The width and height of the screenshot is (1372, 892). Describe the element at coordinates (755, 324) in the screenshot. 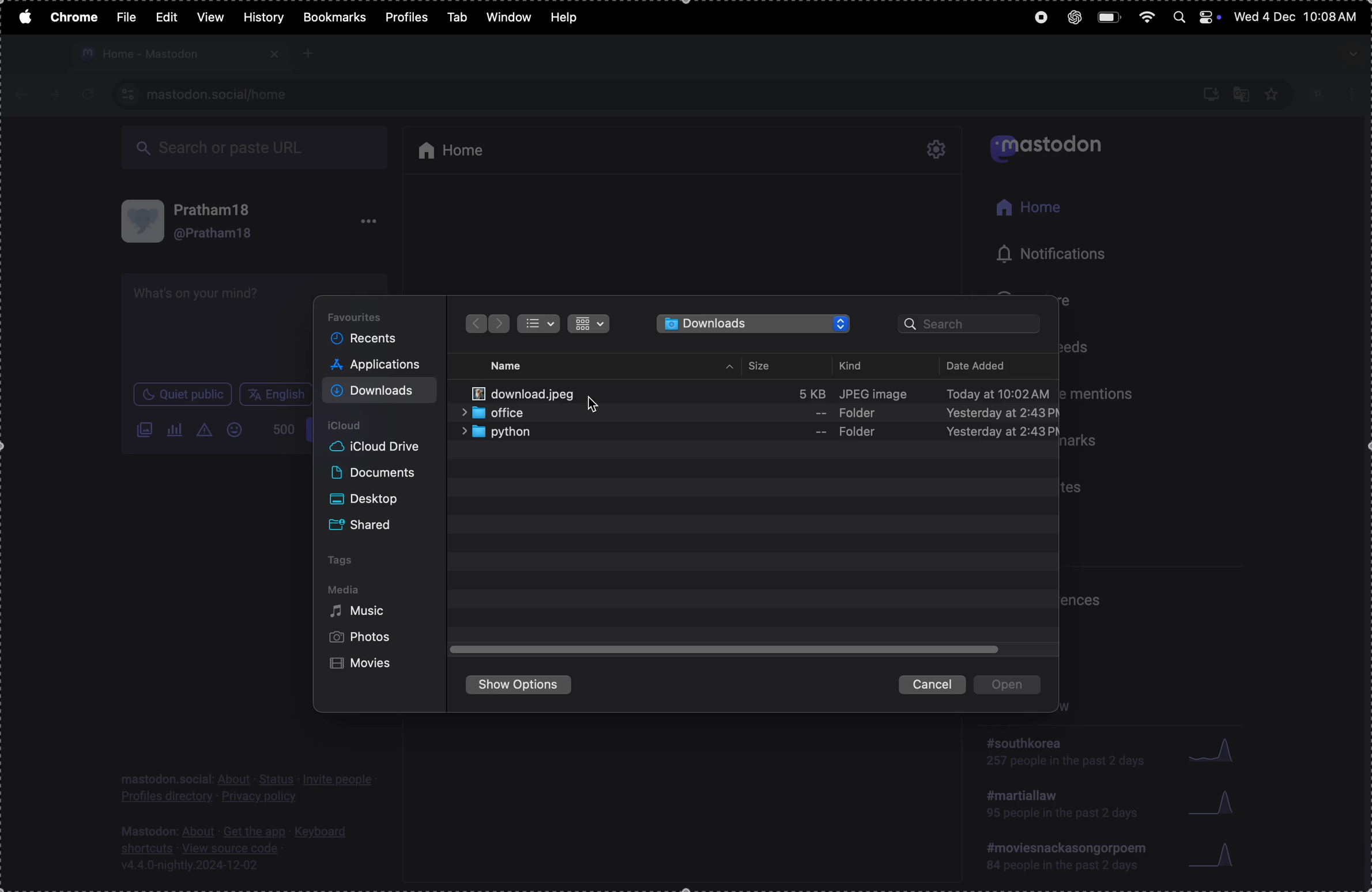

I see `down loads folder` at that location.